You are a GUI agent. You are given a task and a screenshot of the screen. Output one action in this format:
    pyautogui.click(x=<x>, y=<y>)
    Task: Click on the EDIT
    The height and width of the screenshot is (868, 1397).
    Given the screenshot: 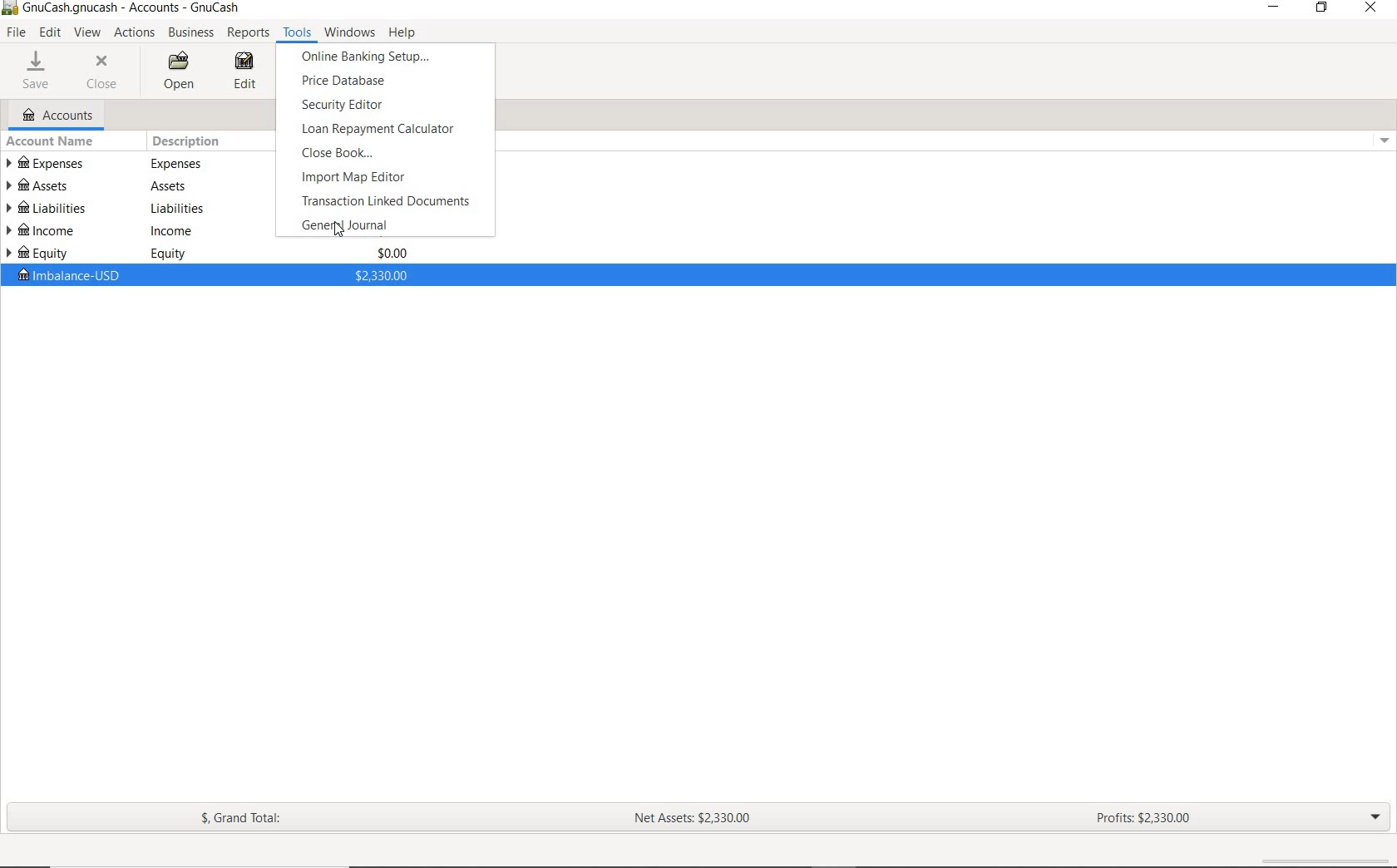 What is the action you would take?
    pyautogui.click(x=50, y=33)
    